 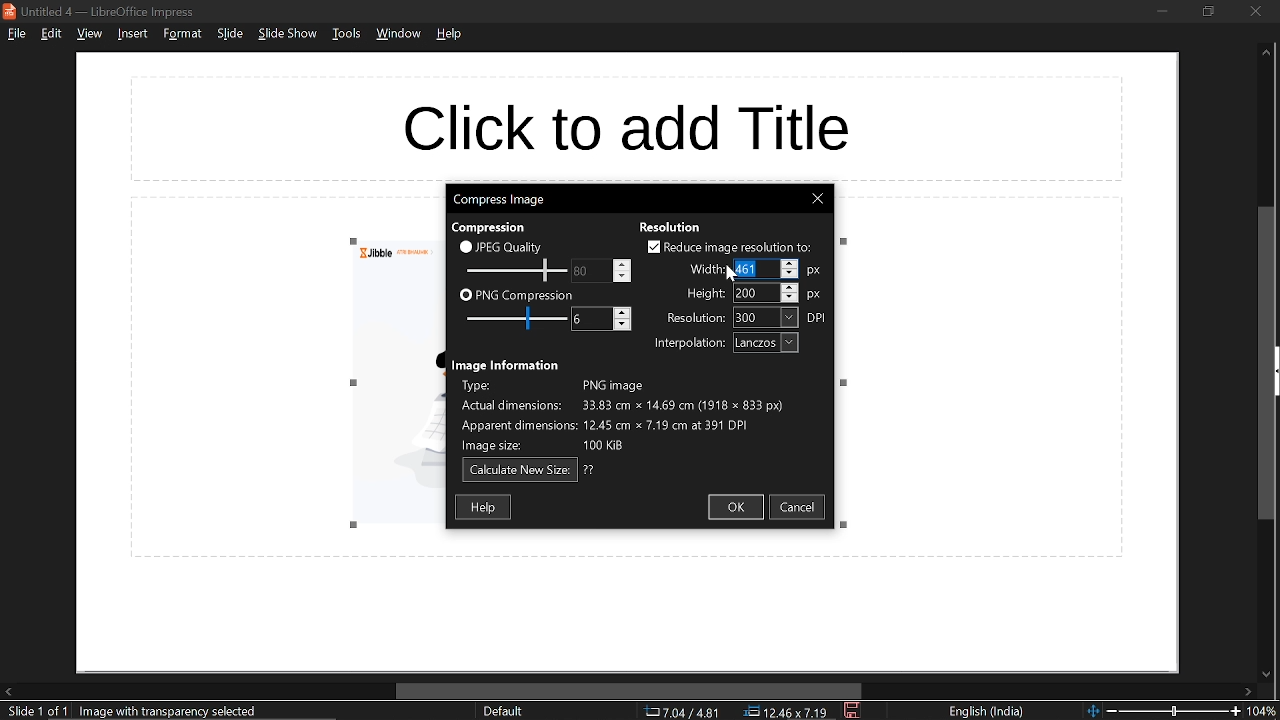 What do you see at coordinates (852, 711) in the screenshot?
I see `save` at bounding box center [852, 711].